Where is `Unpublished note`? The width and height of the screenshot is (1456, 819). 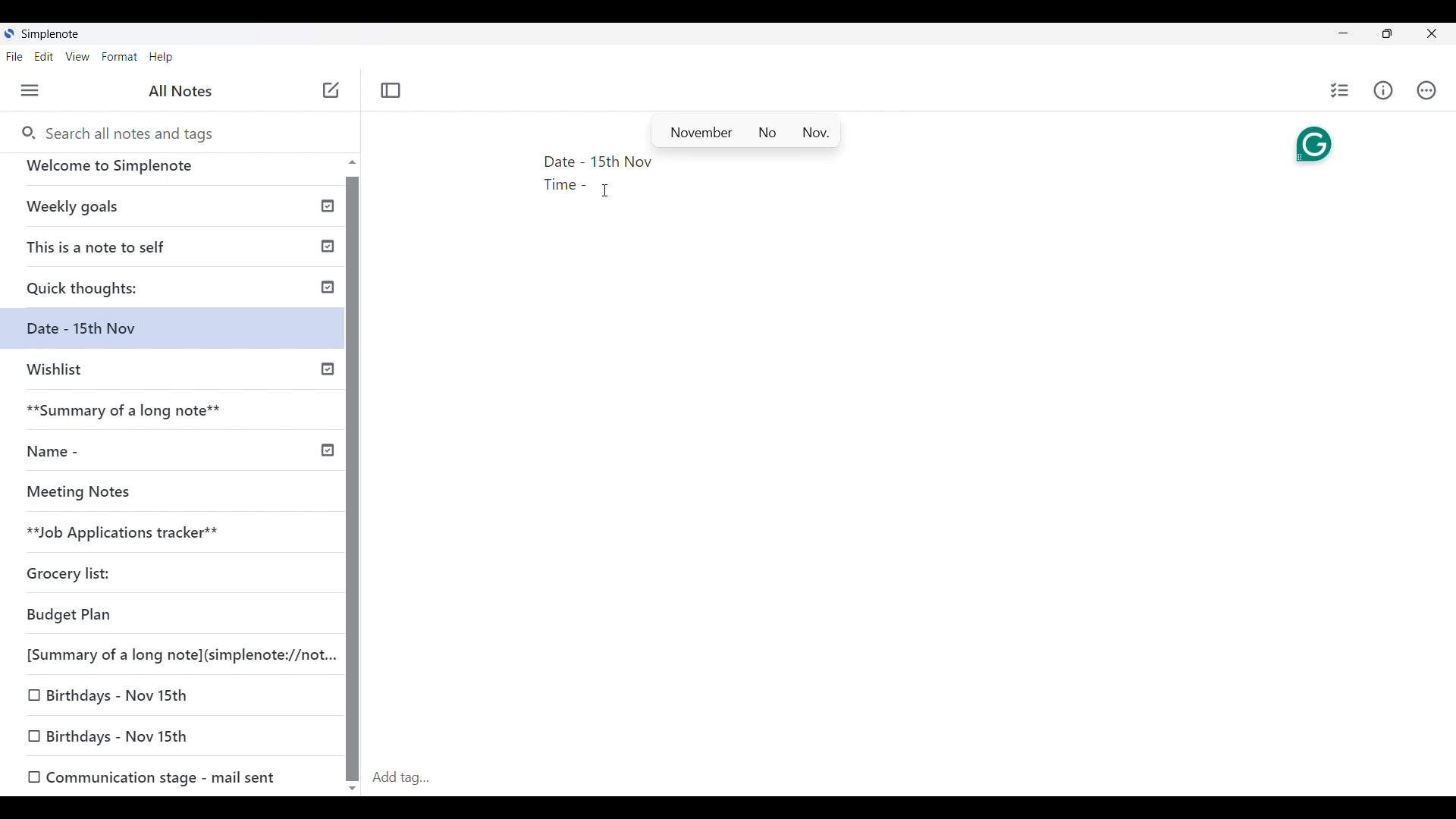
Unpublished note is located at coordinates (168, 535).